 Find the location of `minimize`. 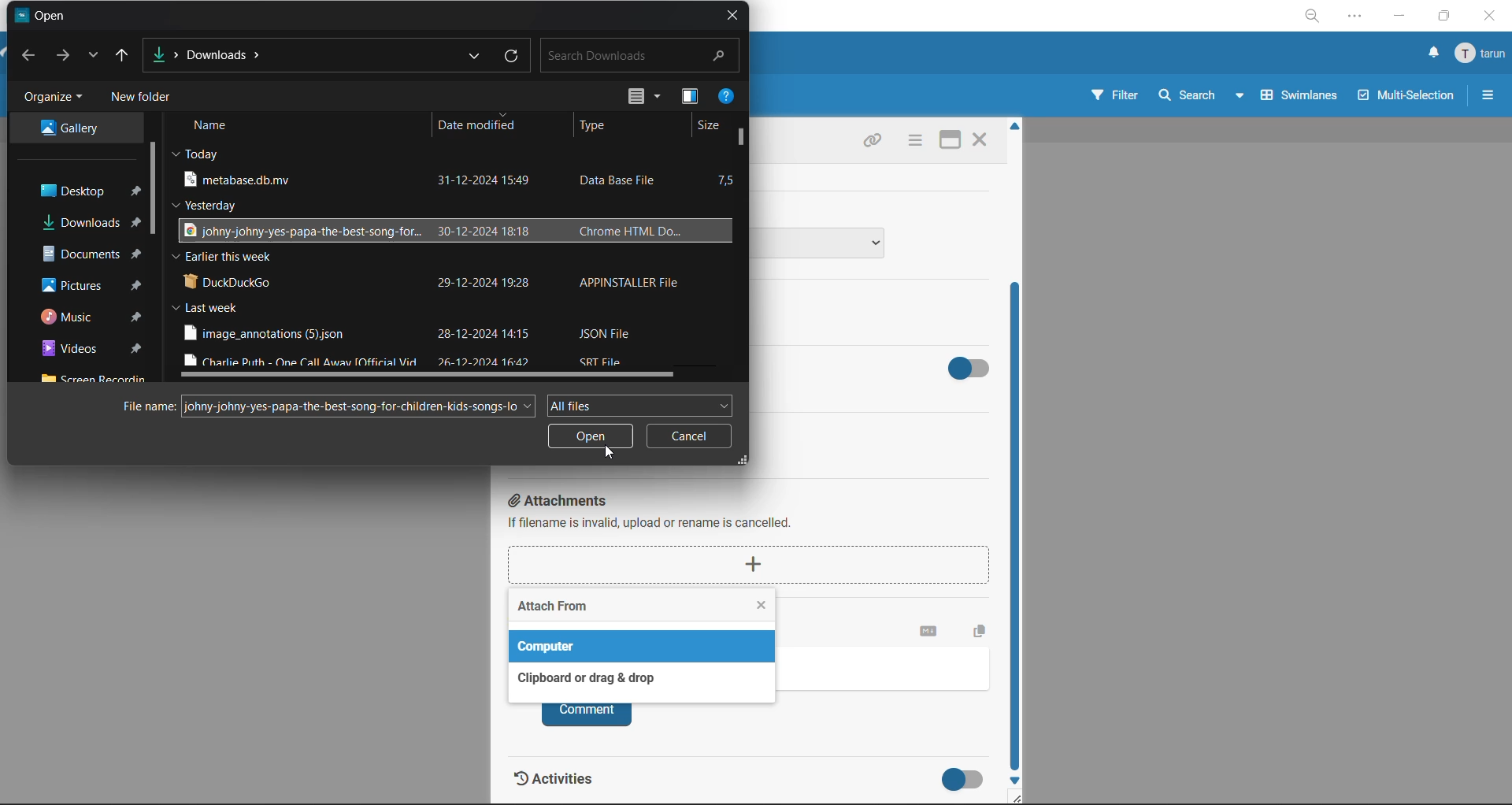

minimize is located at coordinates (1398, 17).